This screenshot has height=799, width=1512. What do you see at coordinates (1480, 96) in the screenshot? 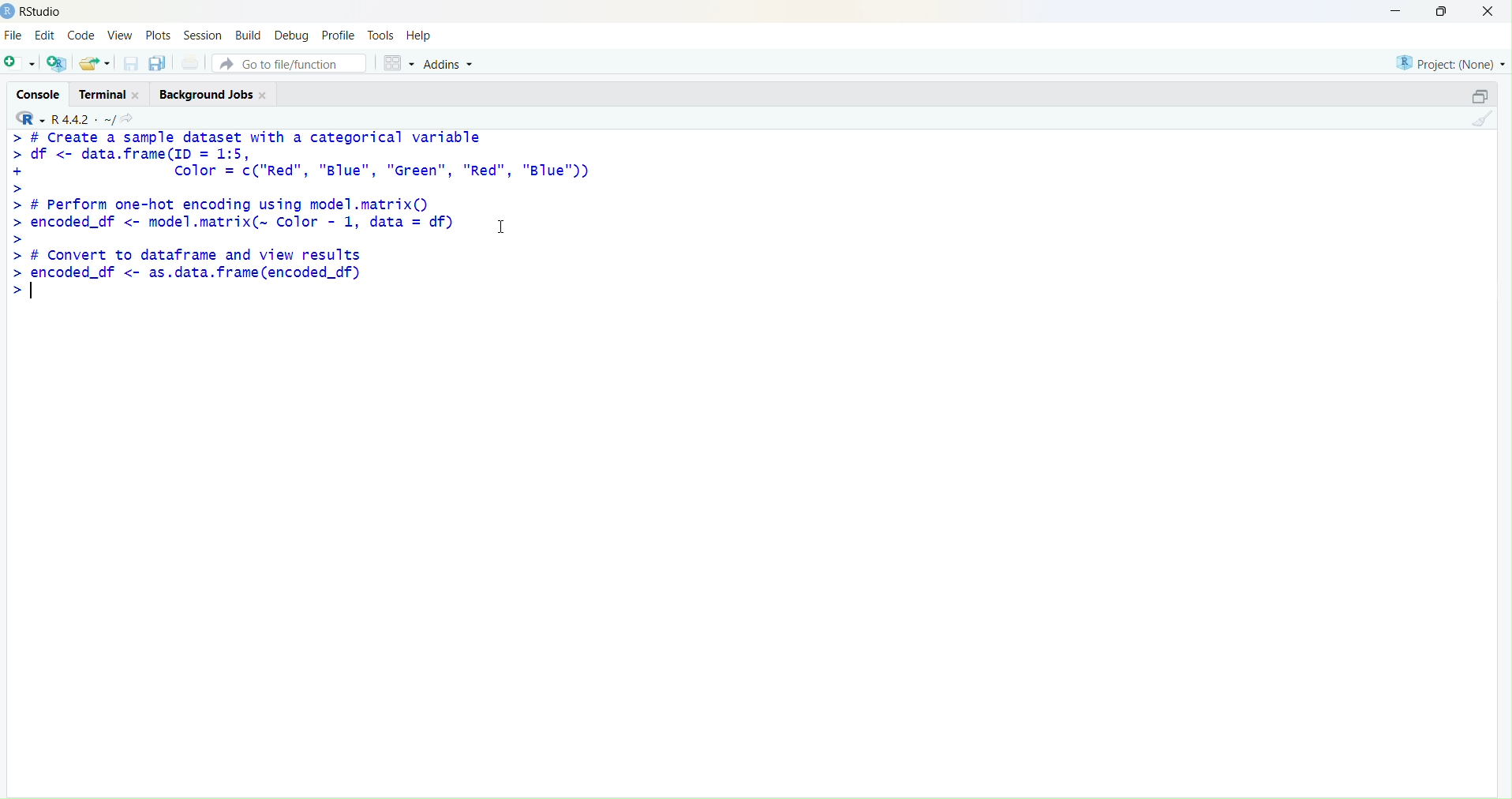
I see `open in separate window ` at bounding box center [1480, 96].